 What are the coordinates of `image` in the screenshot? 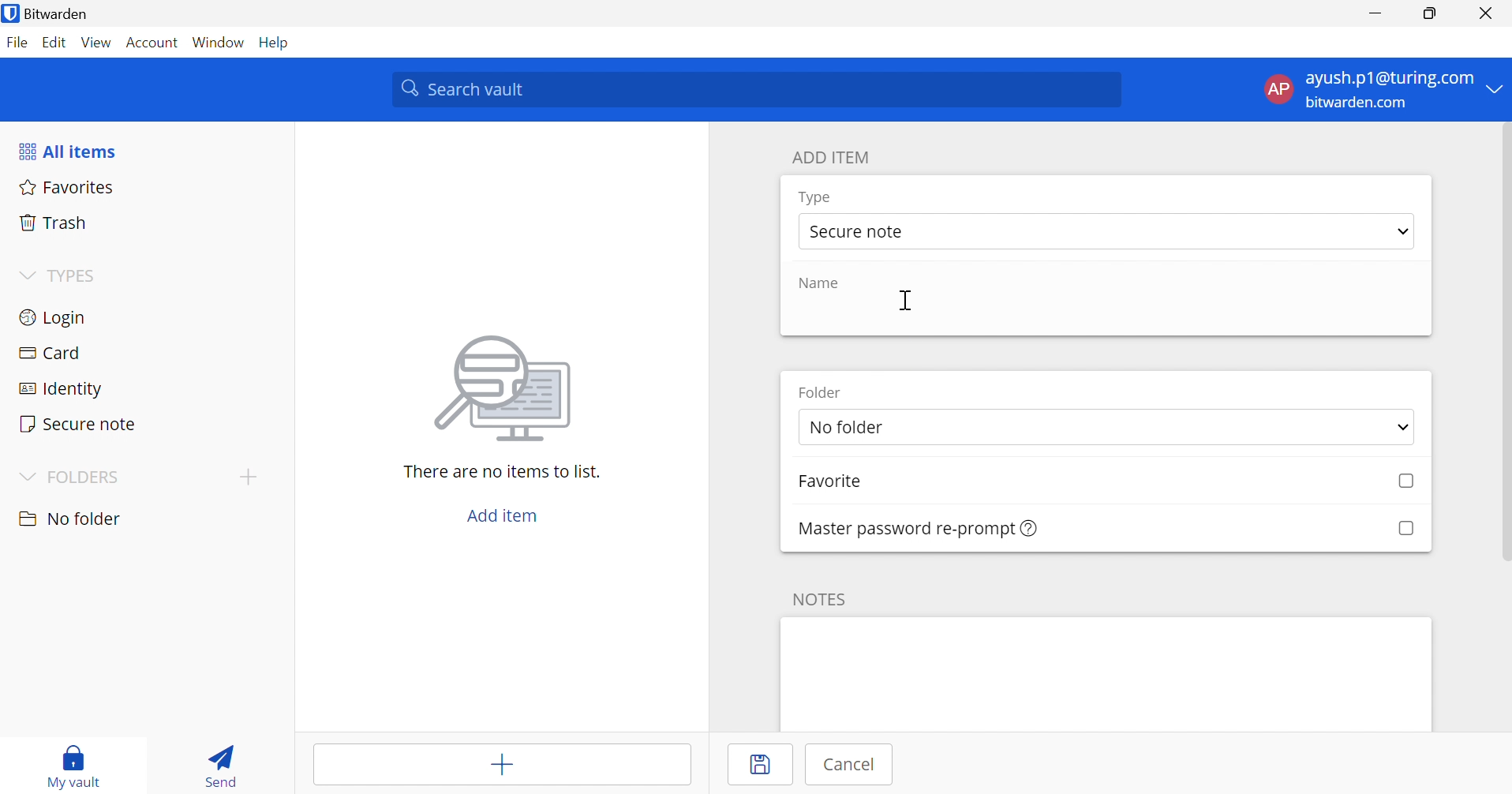 It's located at (508, 388).